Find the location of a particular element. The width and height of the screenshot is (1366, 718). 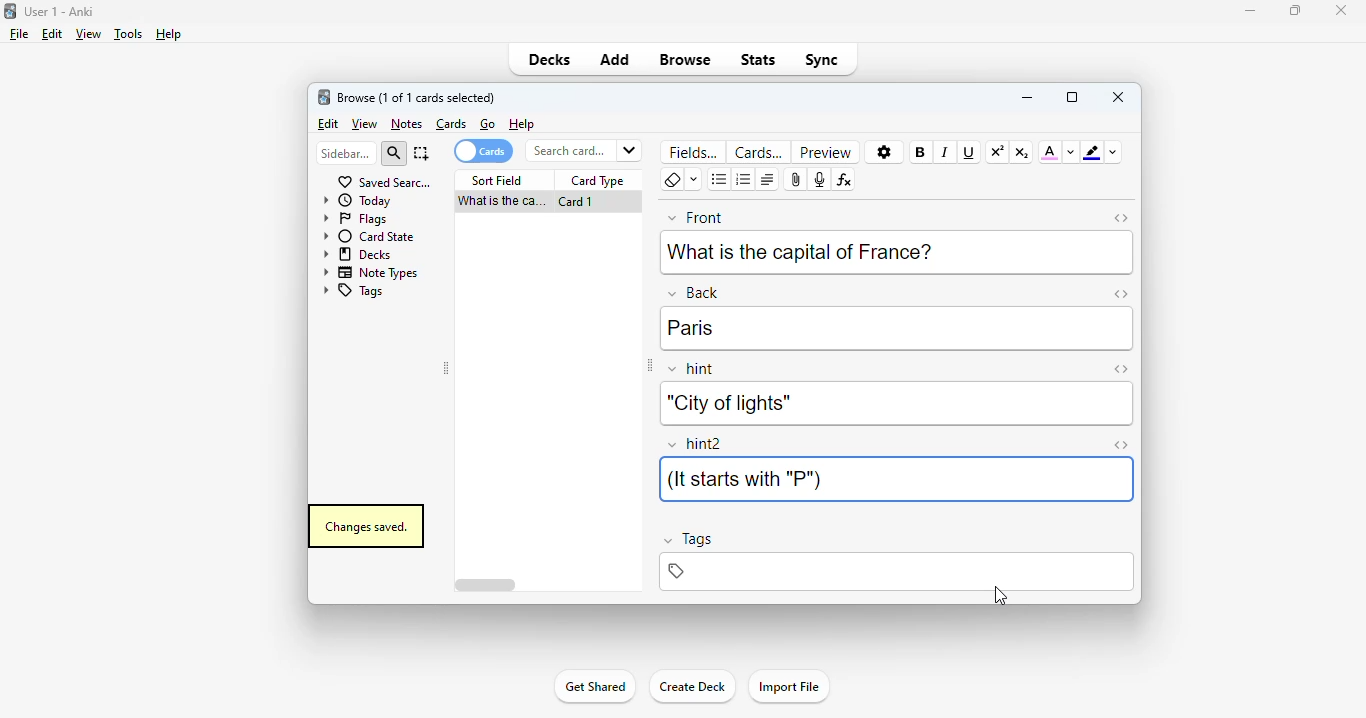

remove formatting is located at coordinates (672, 180).